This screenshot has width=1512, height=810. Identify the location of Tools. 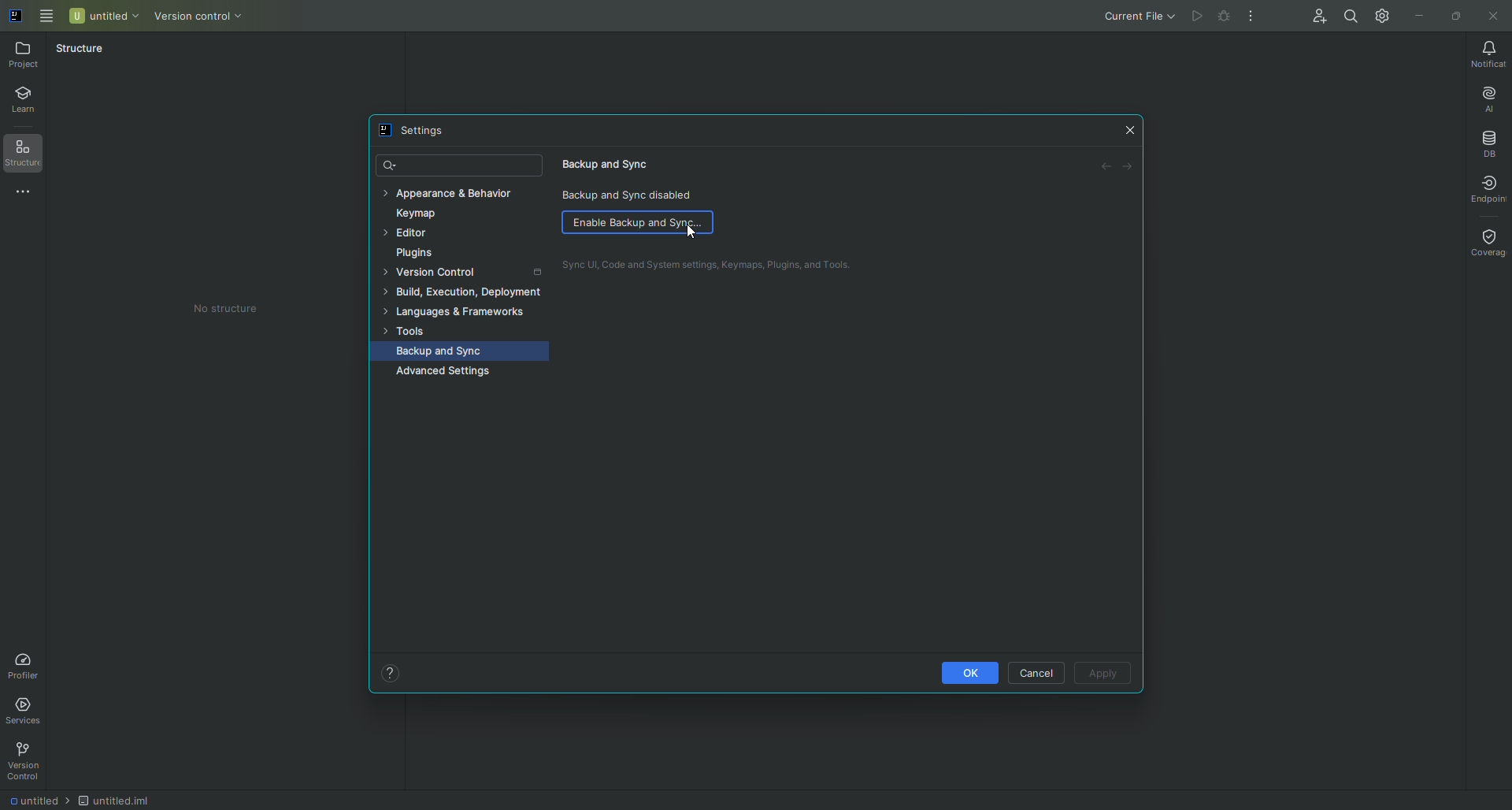
(412, 331).